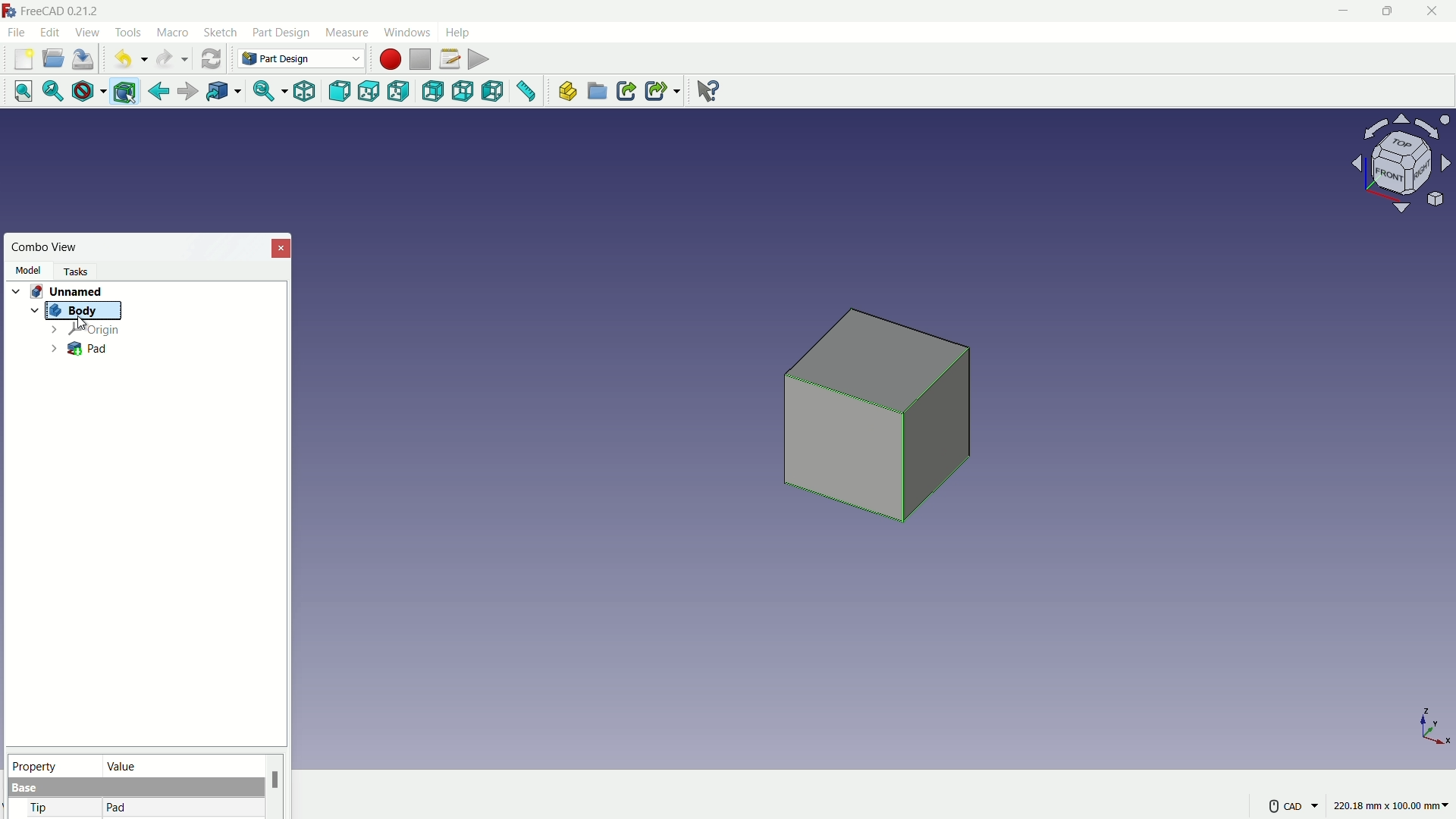 This screenshot has width=1456, height=819. I want to click on fit selection, so click(49, 92).